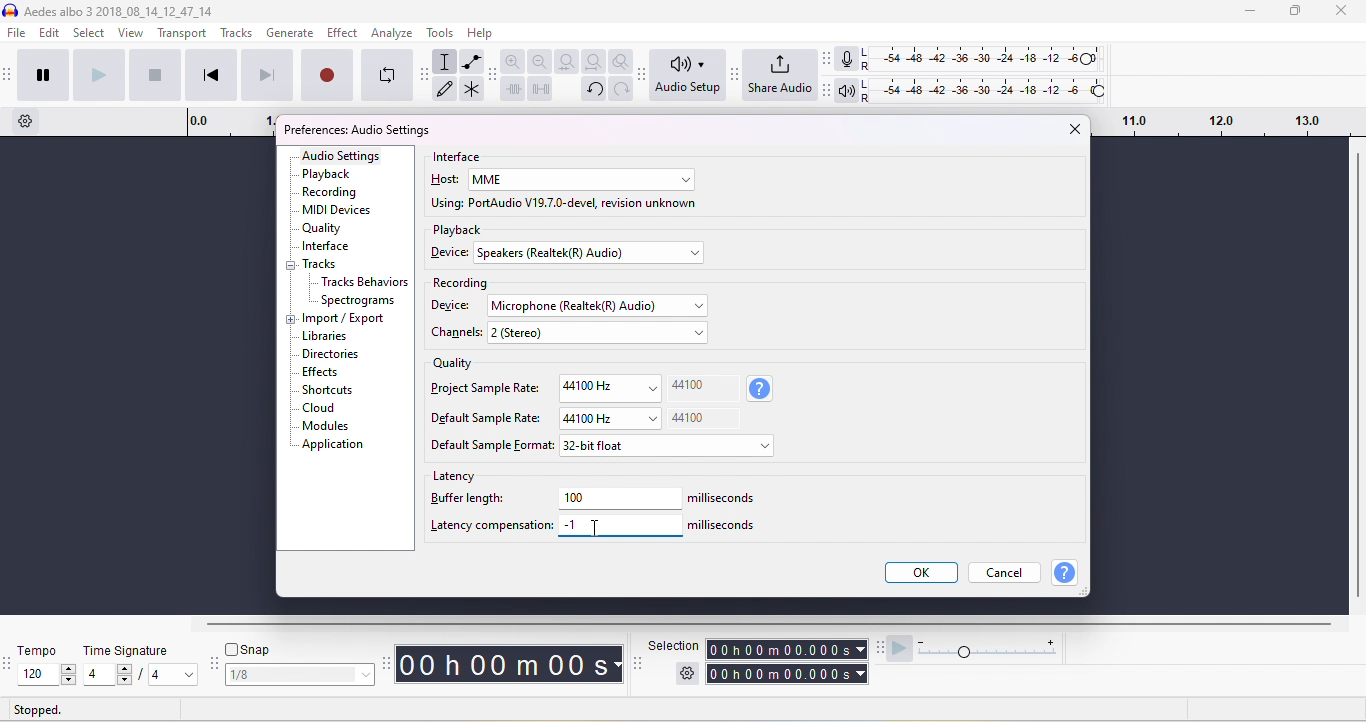 The width and height of the screenshot is (1366, 722). I want to click on effects, so click(322, 372).